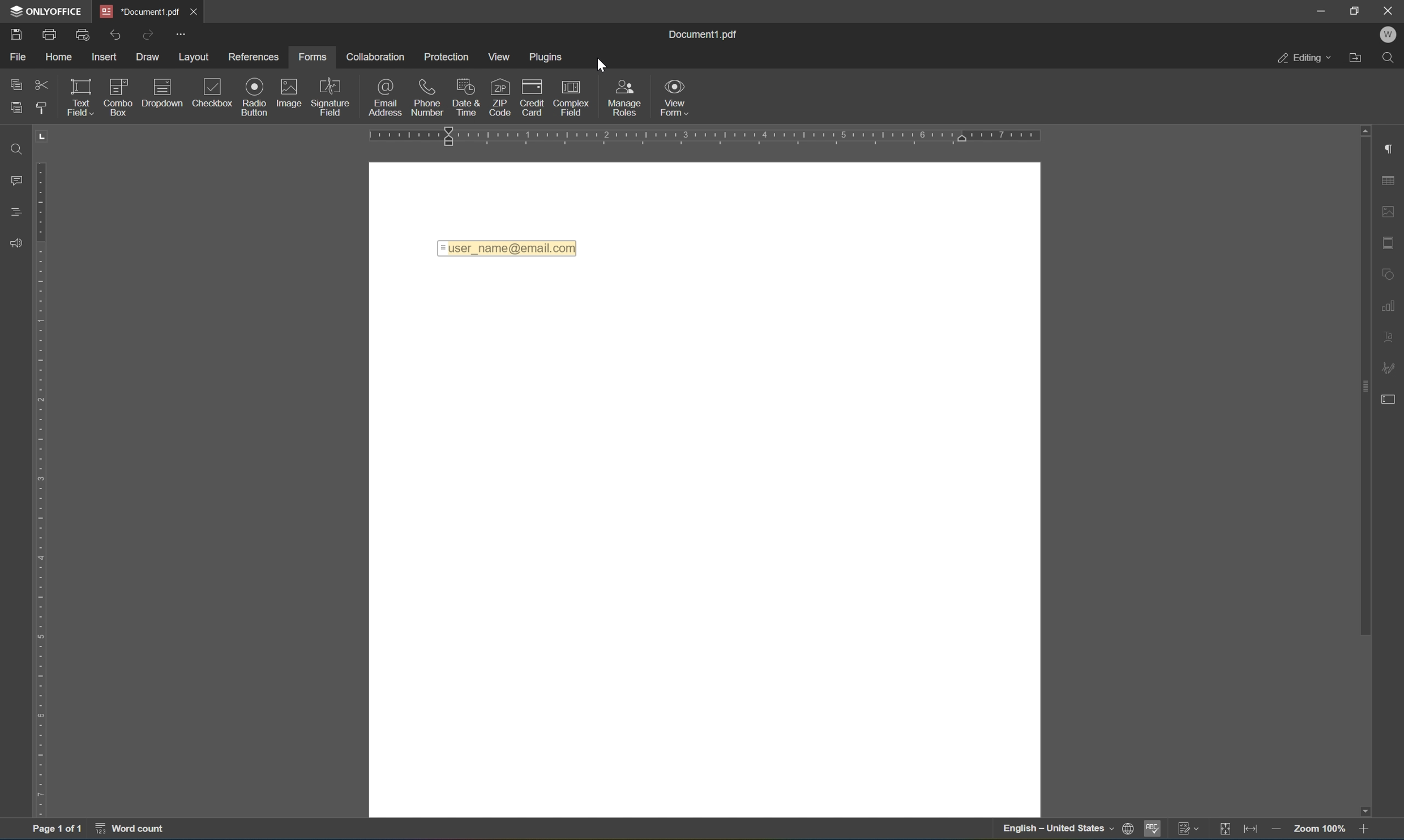 The width and height of the screenshot is (1404, 840). What do you see at coordinates (1393, 336) in the screenshot?
I see `text art settings` at bounding box center [1393, 336].